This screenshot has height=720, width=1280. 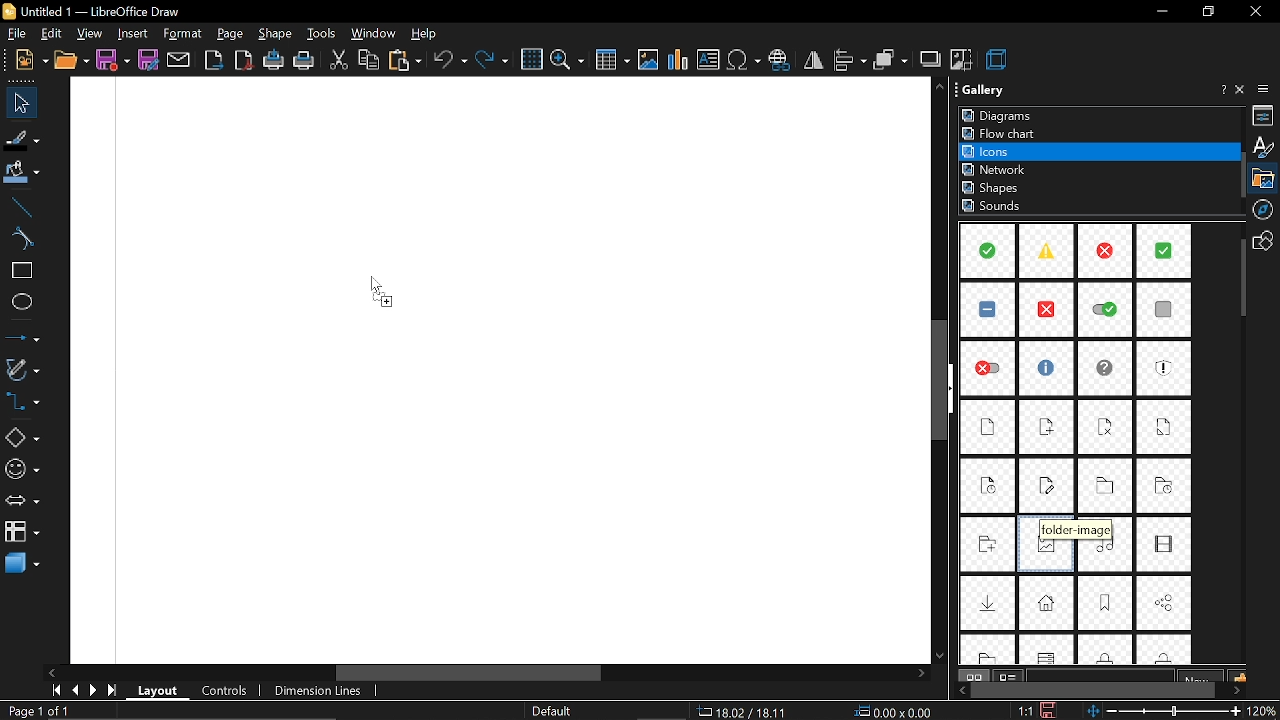 I want to click on flowchrat, so click(x=1003, y=133).